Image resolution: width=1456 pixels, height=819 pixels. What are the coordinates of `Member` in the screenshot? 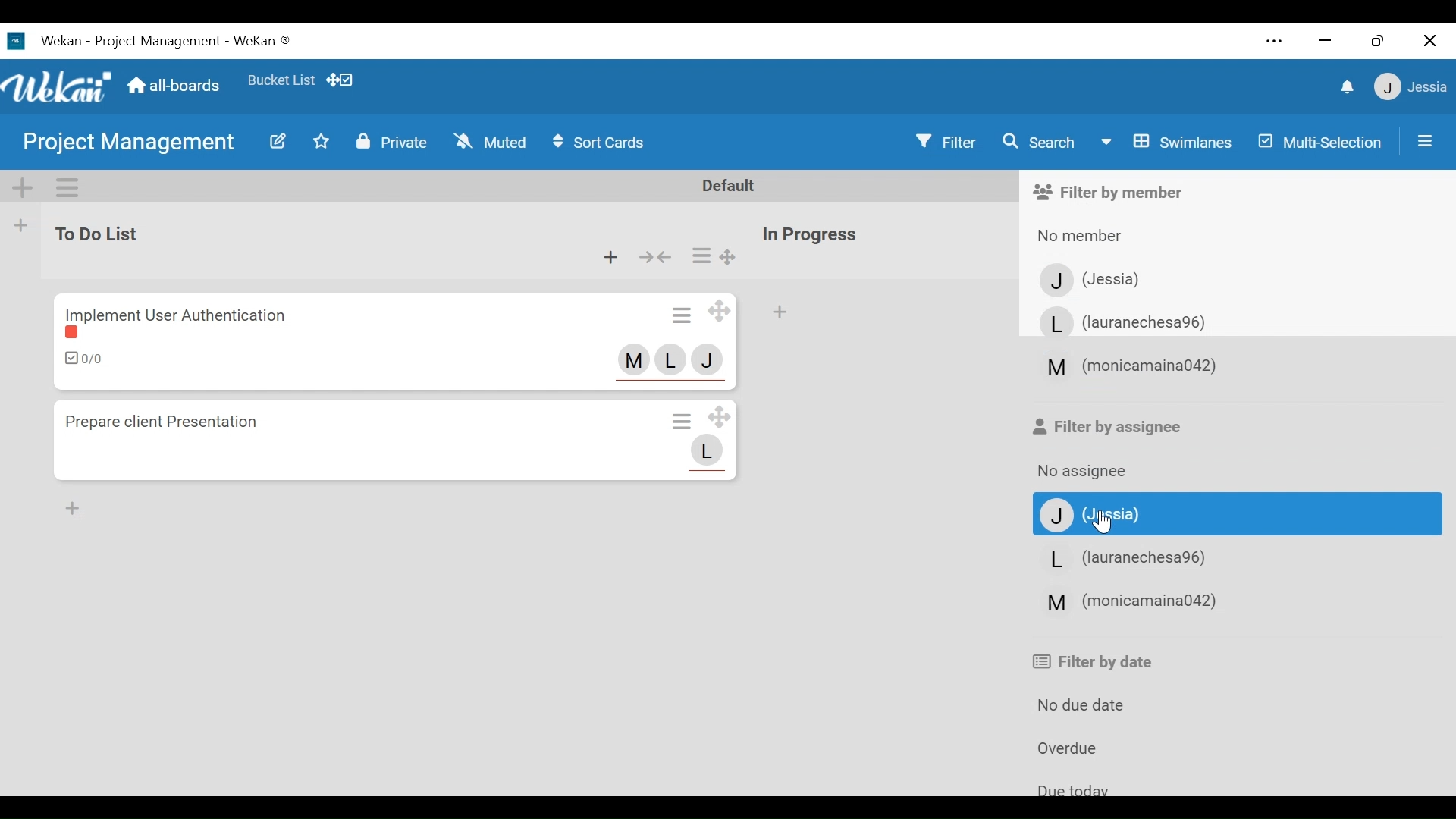 It's located at (1126, 320).